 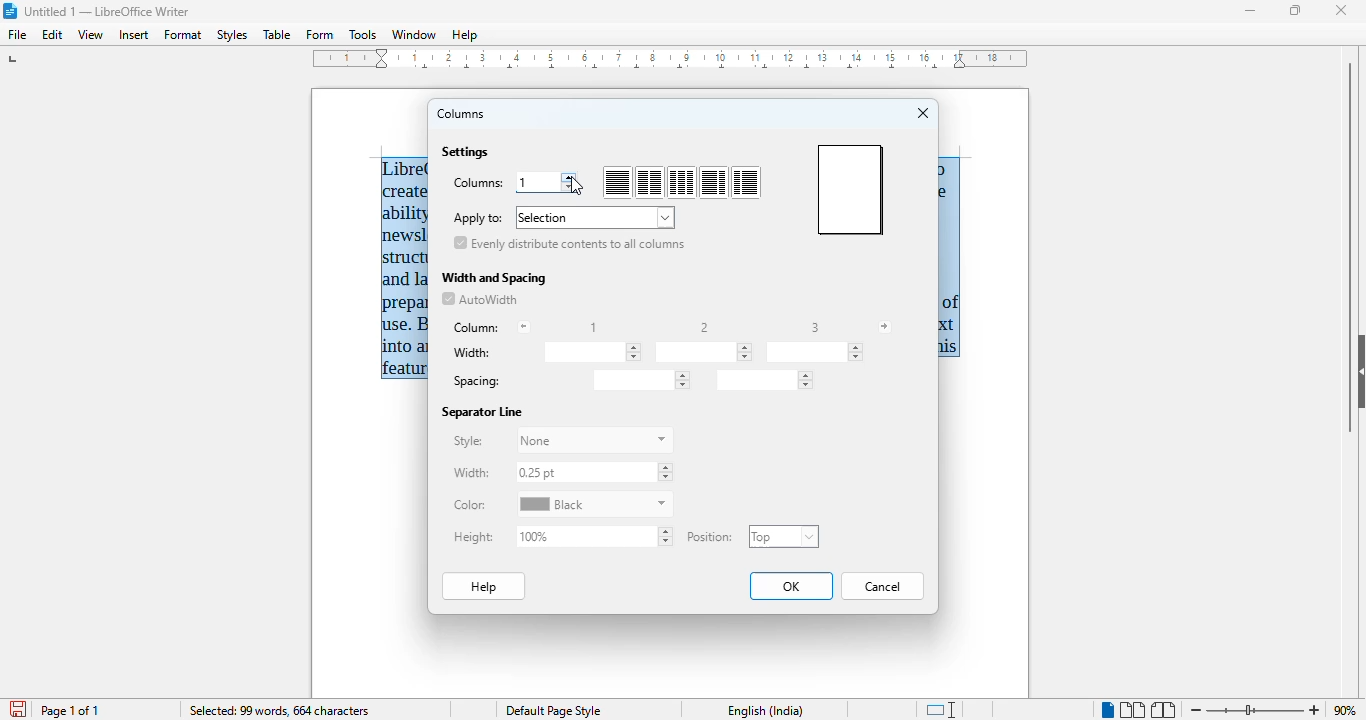 I want to click on selected: 99 words 664 characters, so click(x=279, y=710).